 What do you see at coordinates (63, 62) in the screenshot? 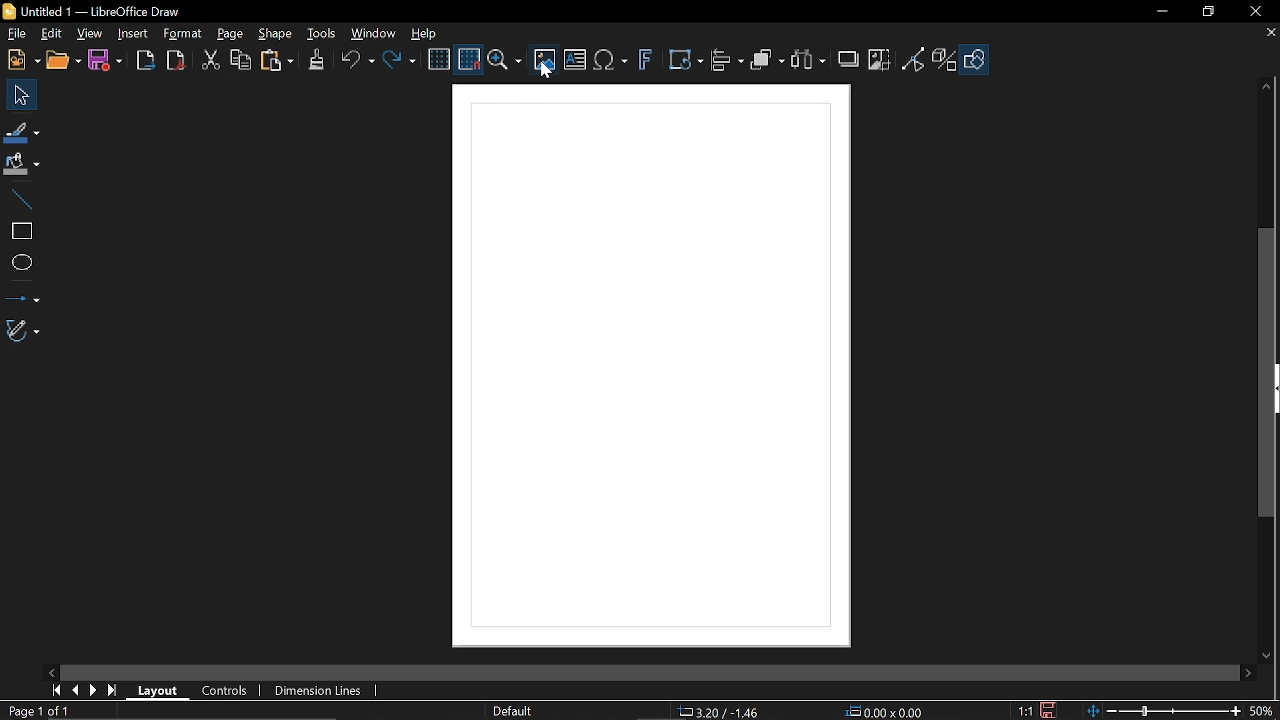
I see `Open` at bounding box center [63, 62].